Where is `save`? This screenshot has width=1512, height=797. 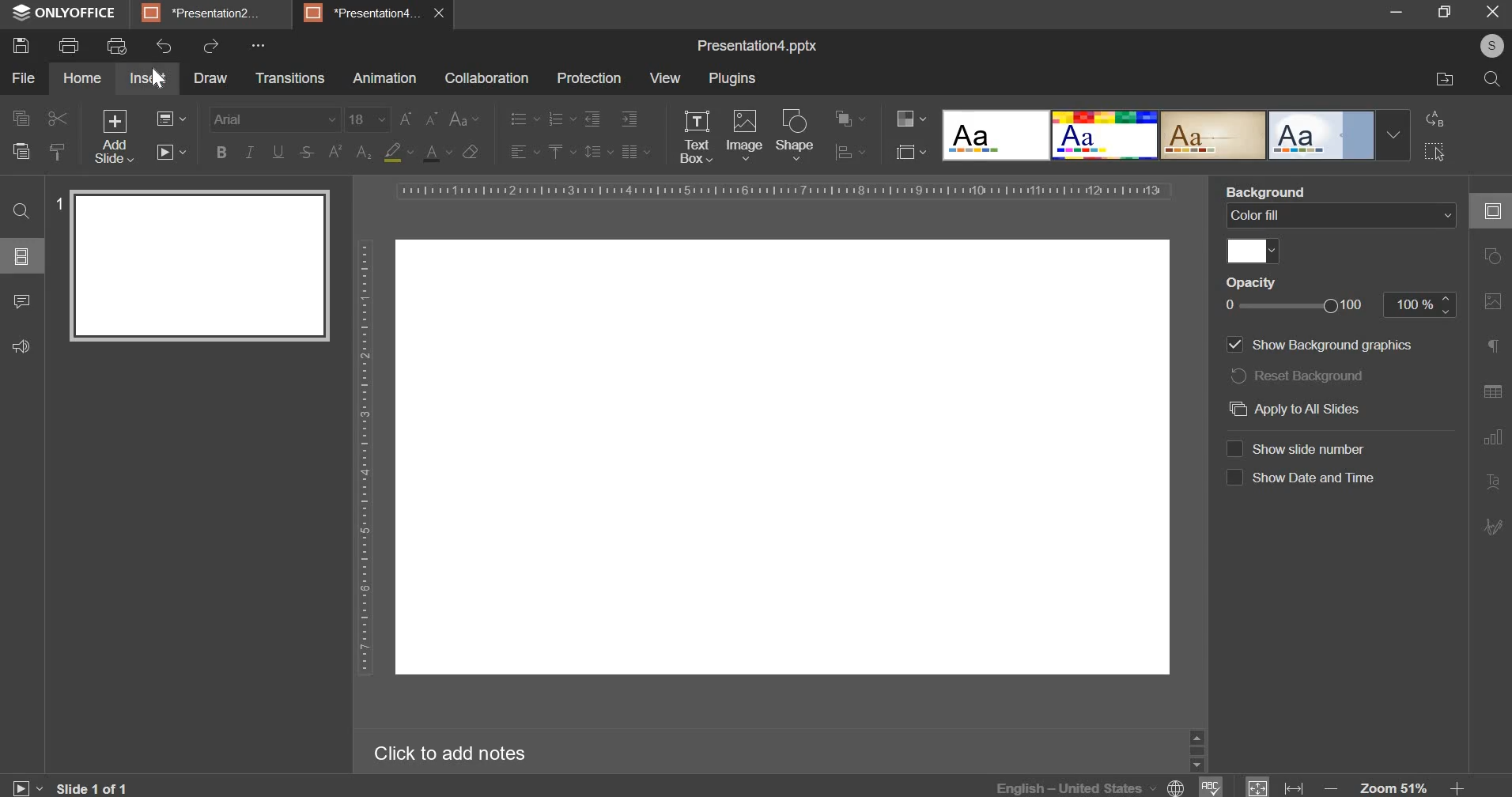 save is located at coordinates (21, 46).